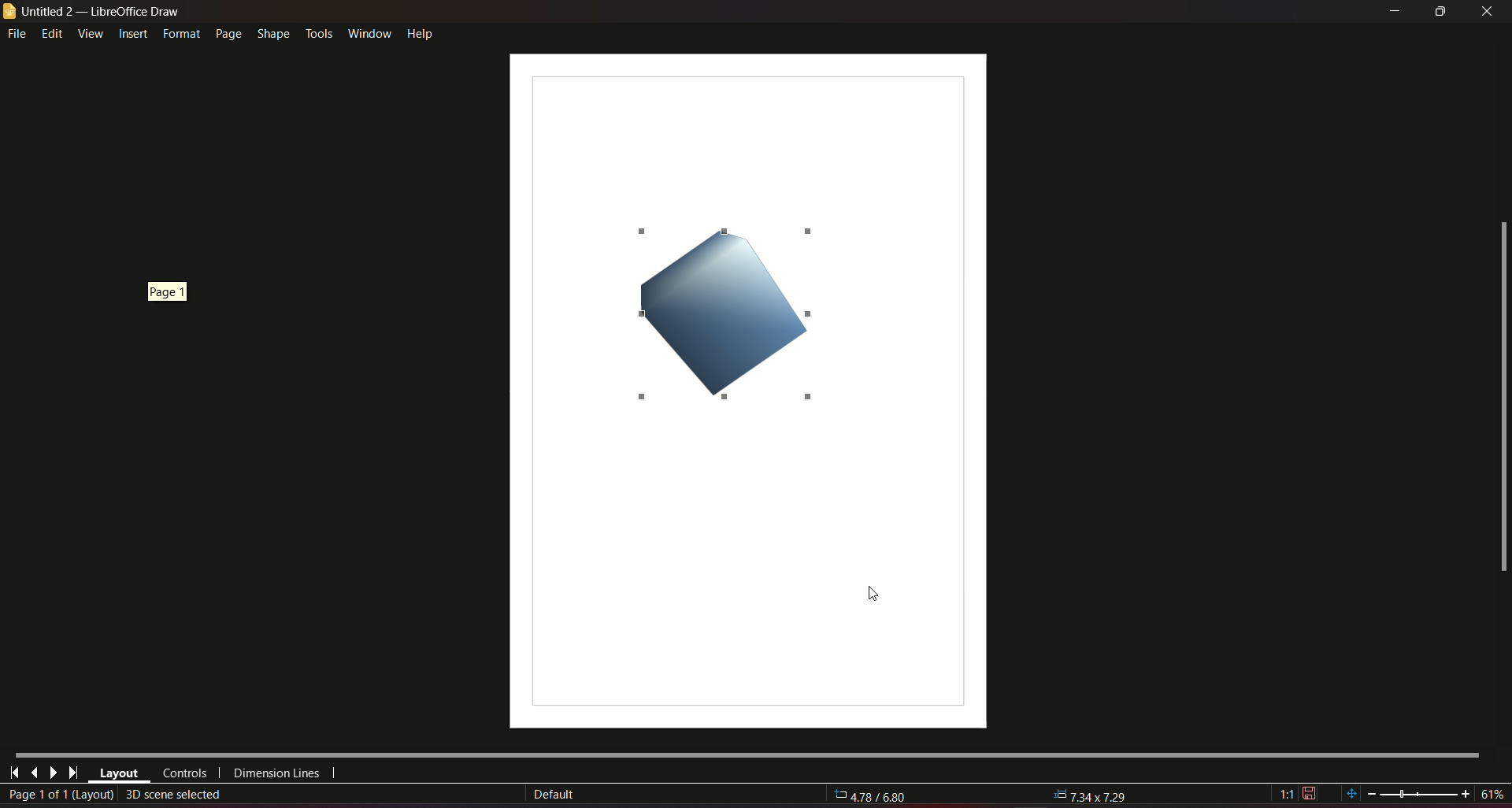 The image size is (1512, 808). I want to click on view, so click(90, 33).